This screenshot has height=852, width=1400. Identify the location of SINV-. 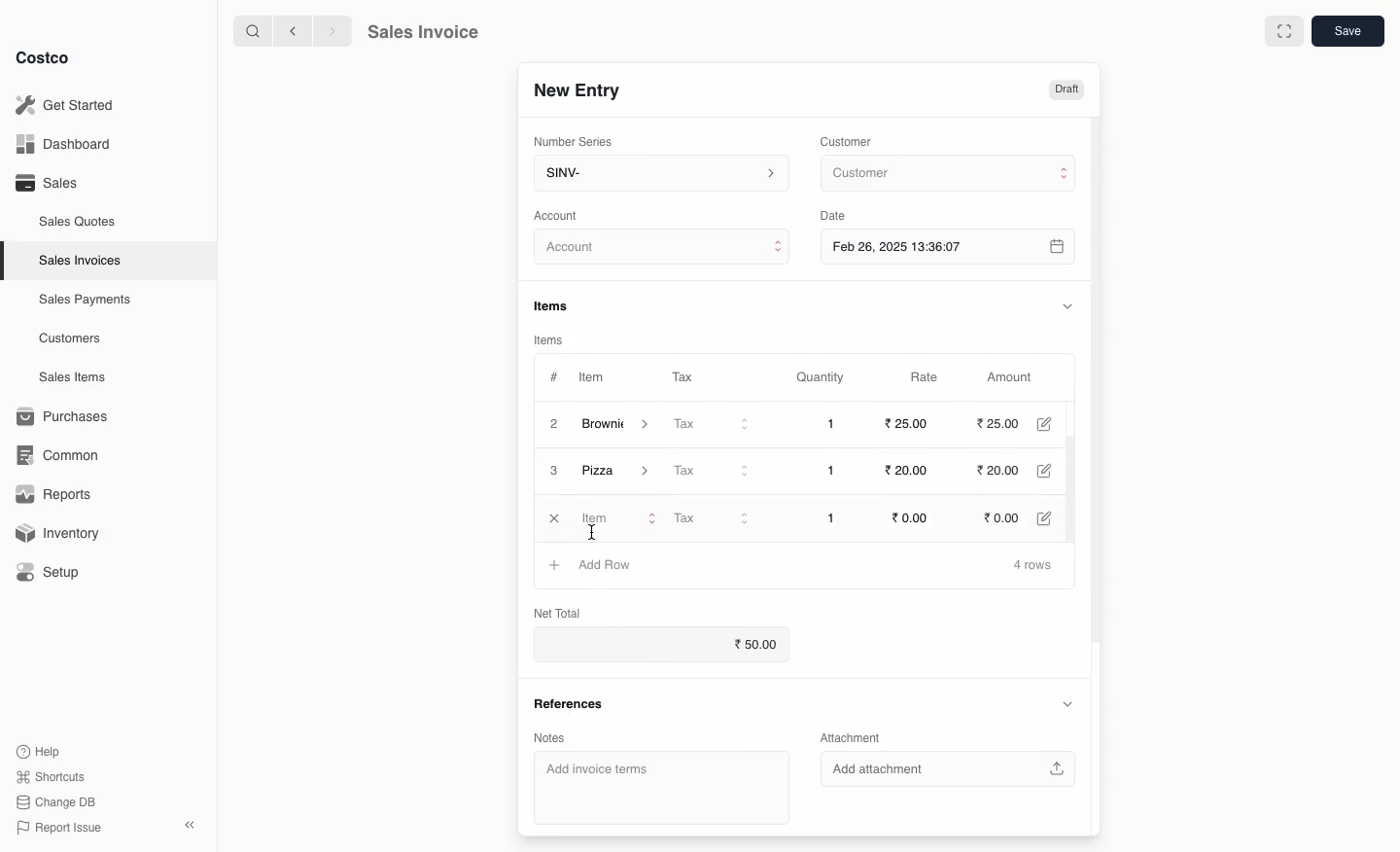
(660, 175).